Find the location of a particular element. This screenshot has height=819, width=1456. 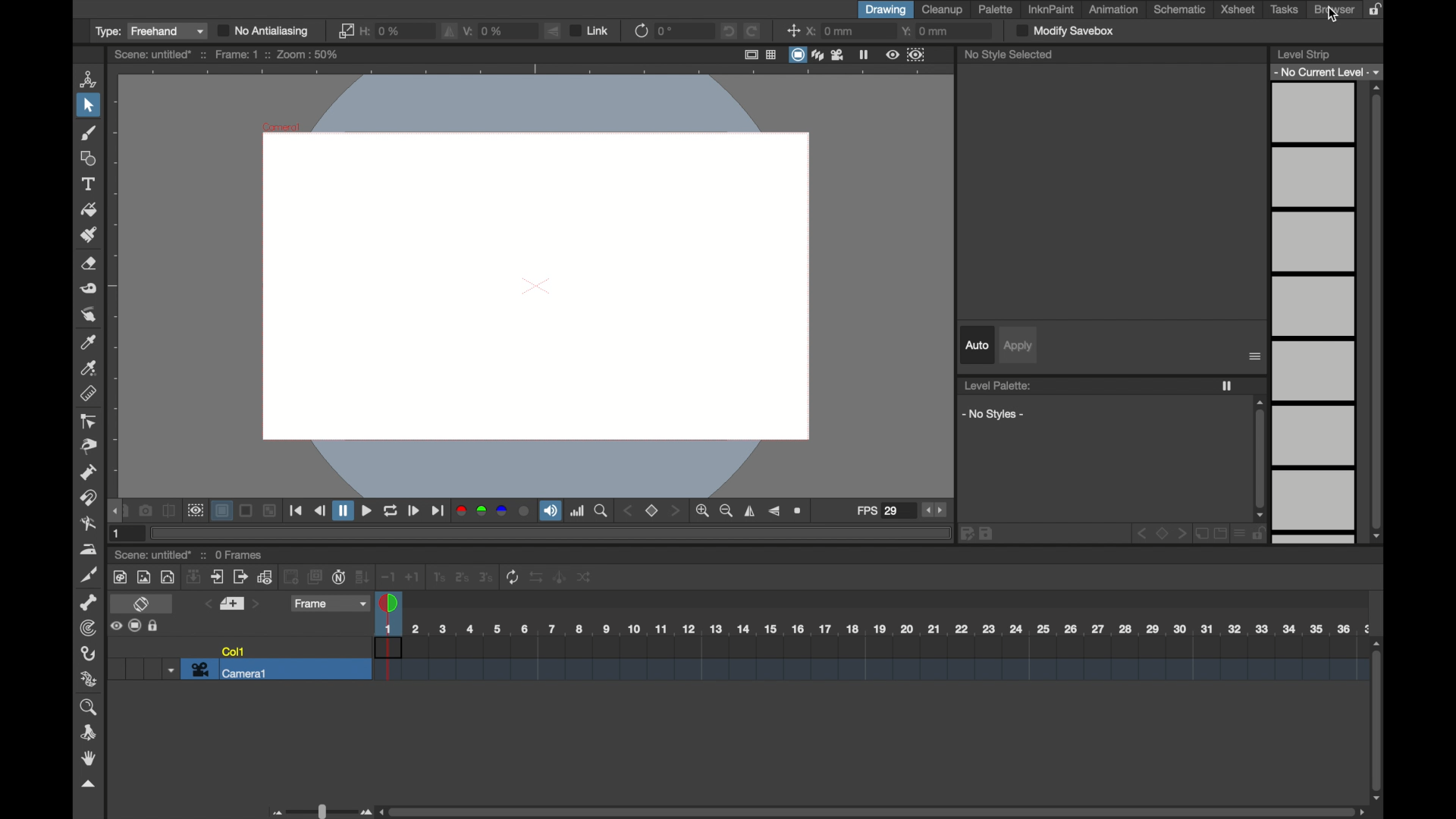

move is located at coordinates (219, 576).